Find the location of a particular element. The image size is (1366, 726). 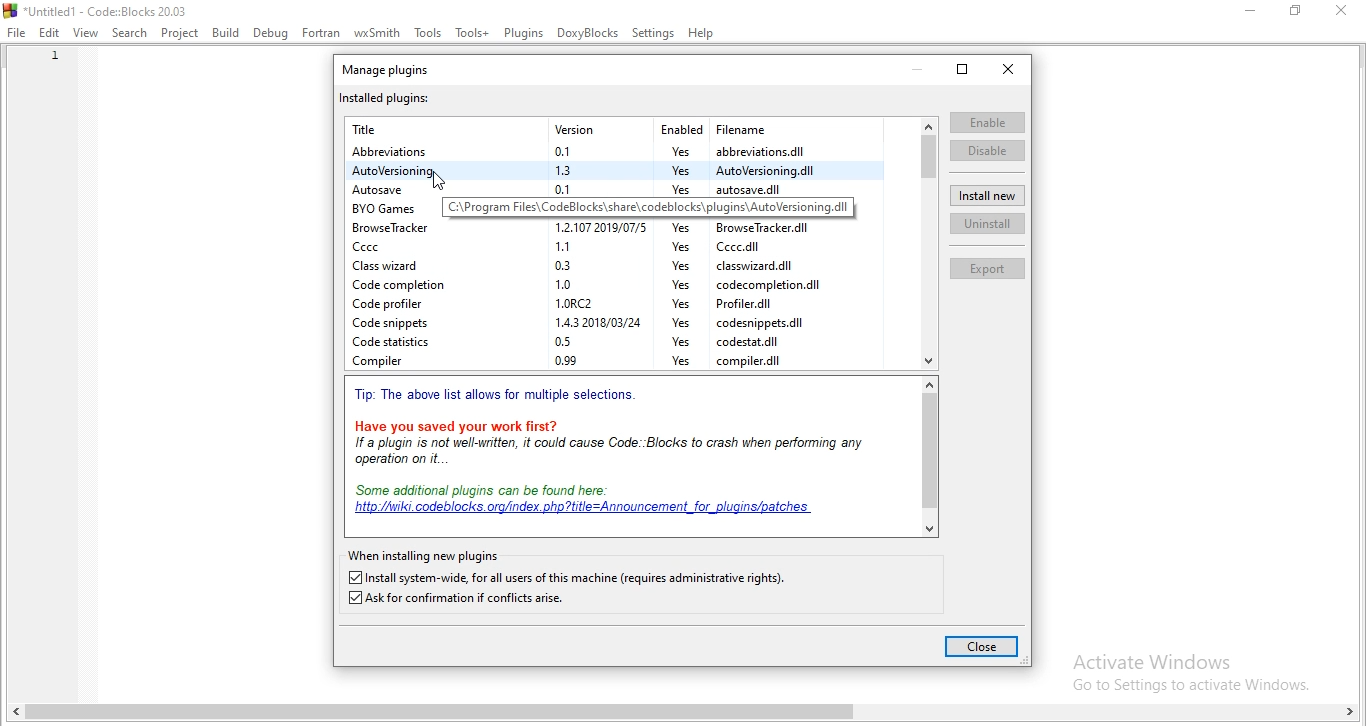

Code statistics 05 Yes  codestat.dll is located at coordinates (571, 343).